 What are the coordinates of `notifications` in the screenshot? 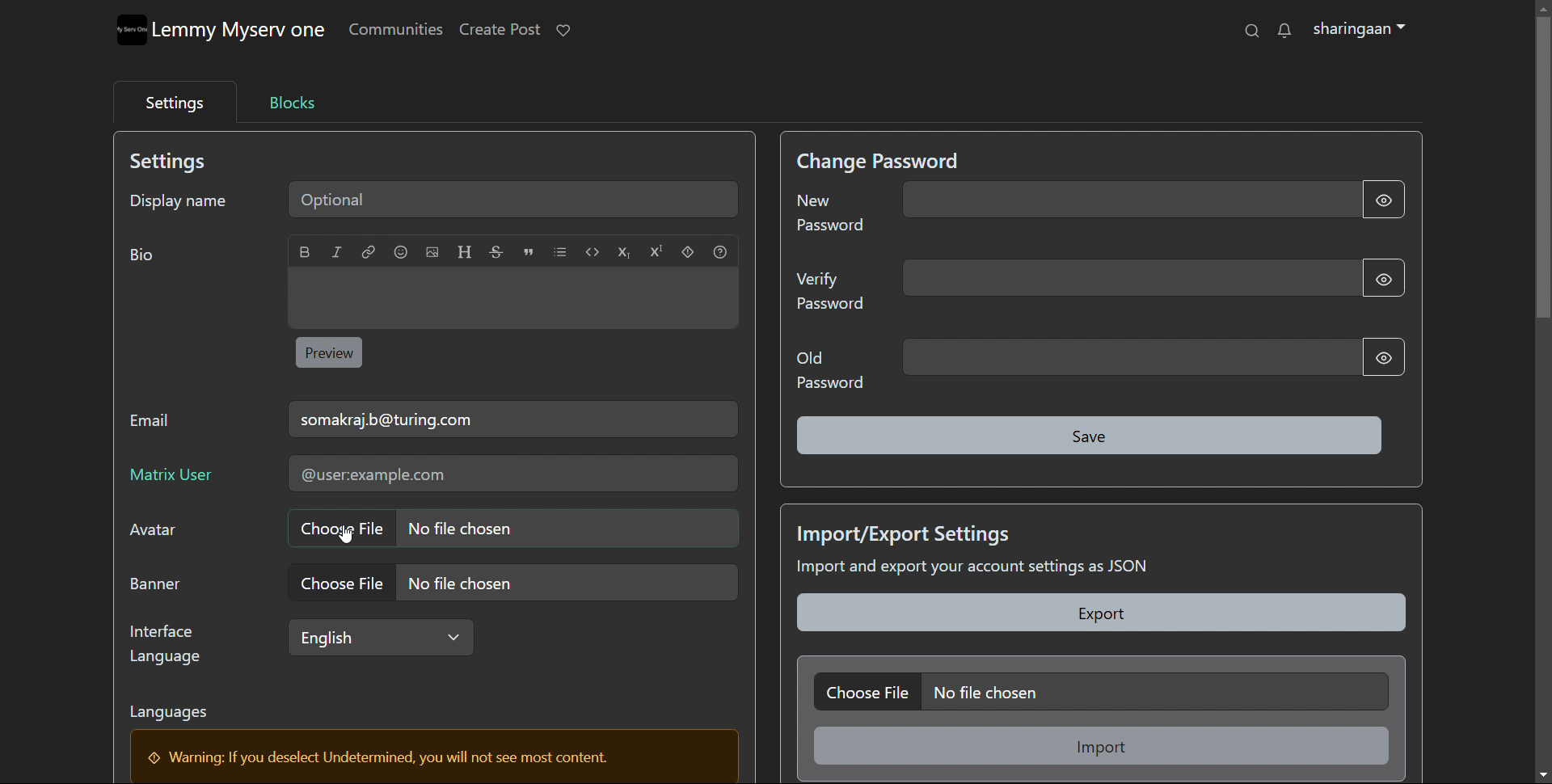 It's located at (1284, 30).